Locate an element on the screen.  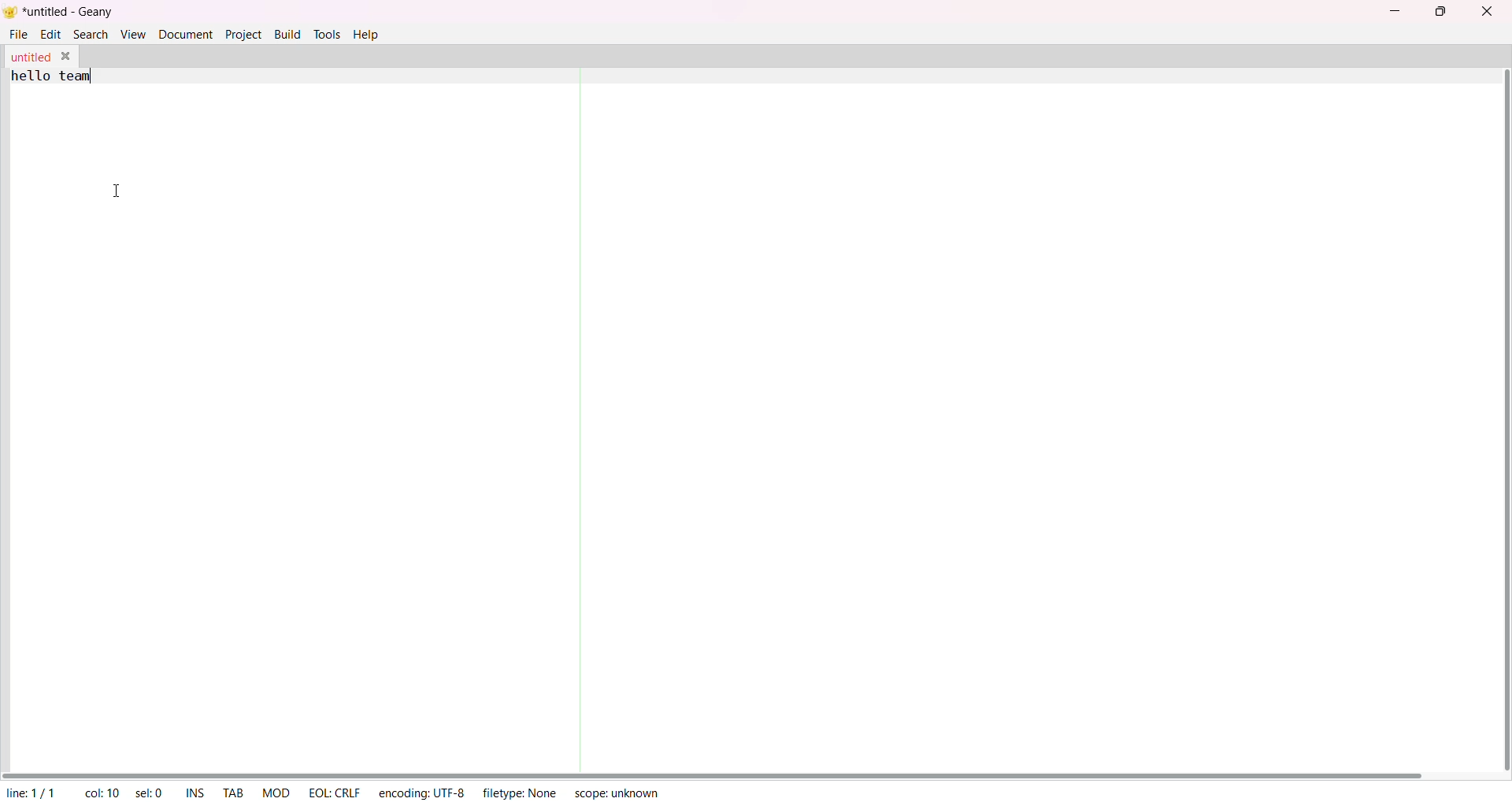
ins is located at coordinates (193, 792).